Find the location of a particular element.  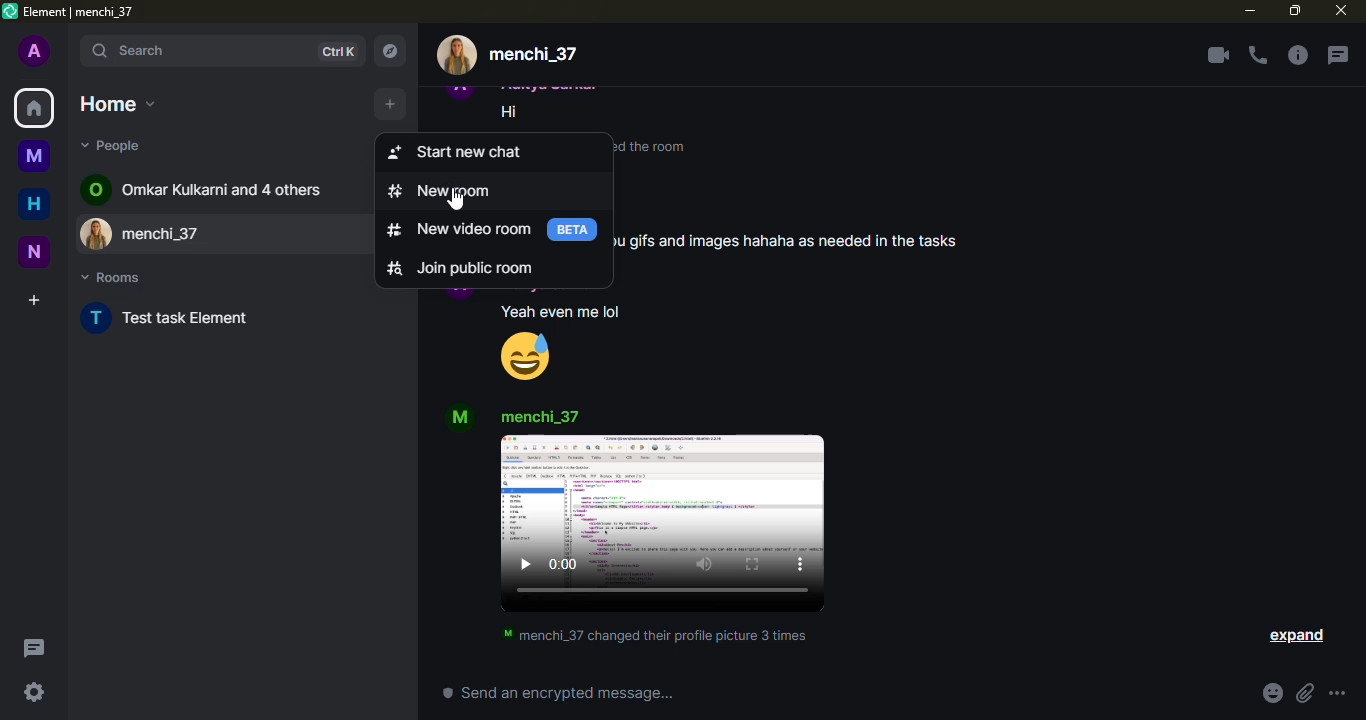

menchi_37 is located at coordinates (246, 234).